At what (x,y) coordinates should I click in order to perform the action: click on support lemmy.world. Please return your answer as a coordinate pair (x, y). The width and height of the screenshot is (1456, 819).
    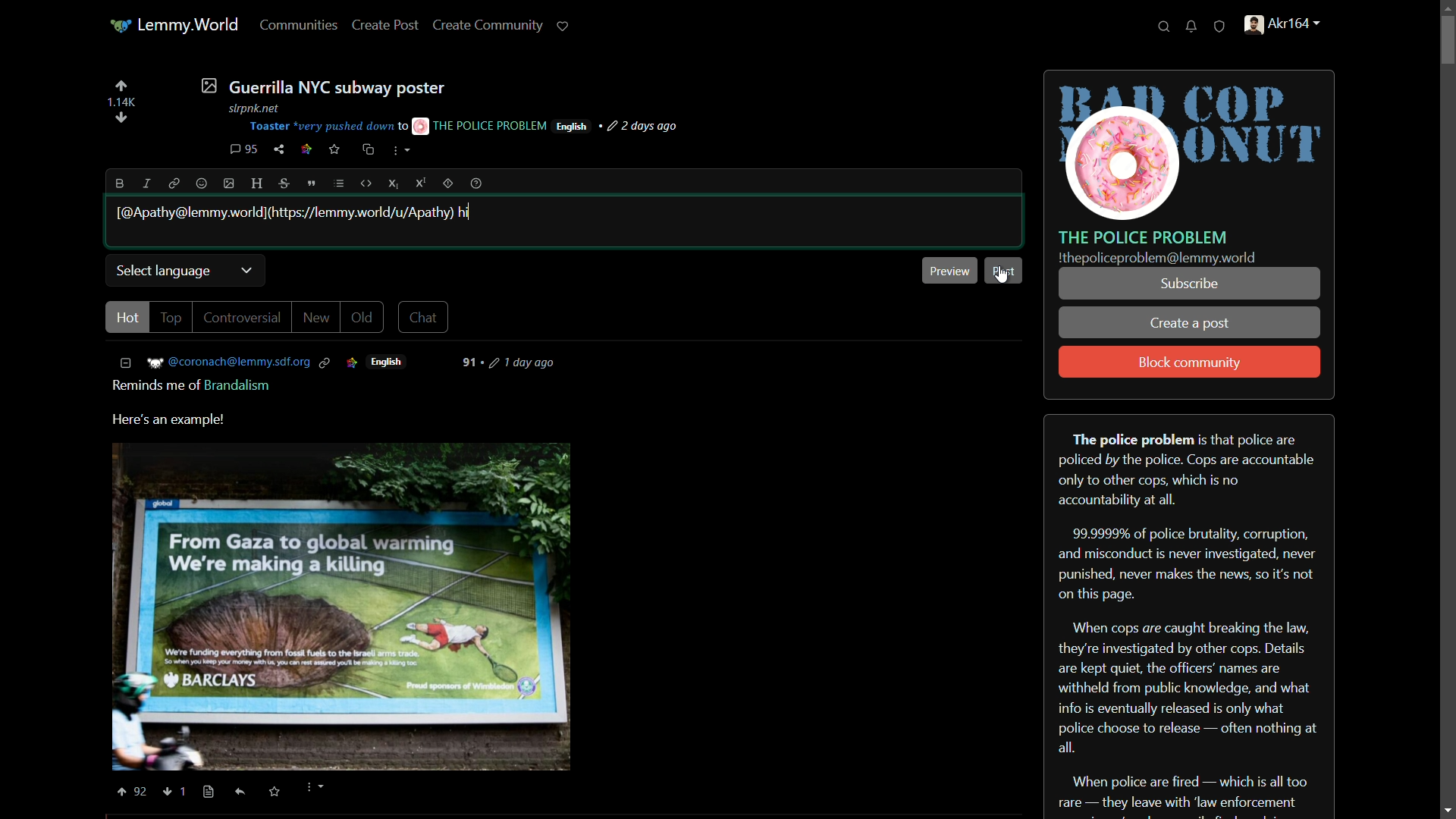
    Looking at the image, I should click on (563, 26).